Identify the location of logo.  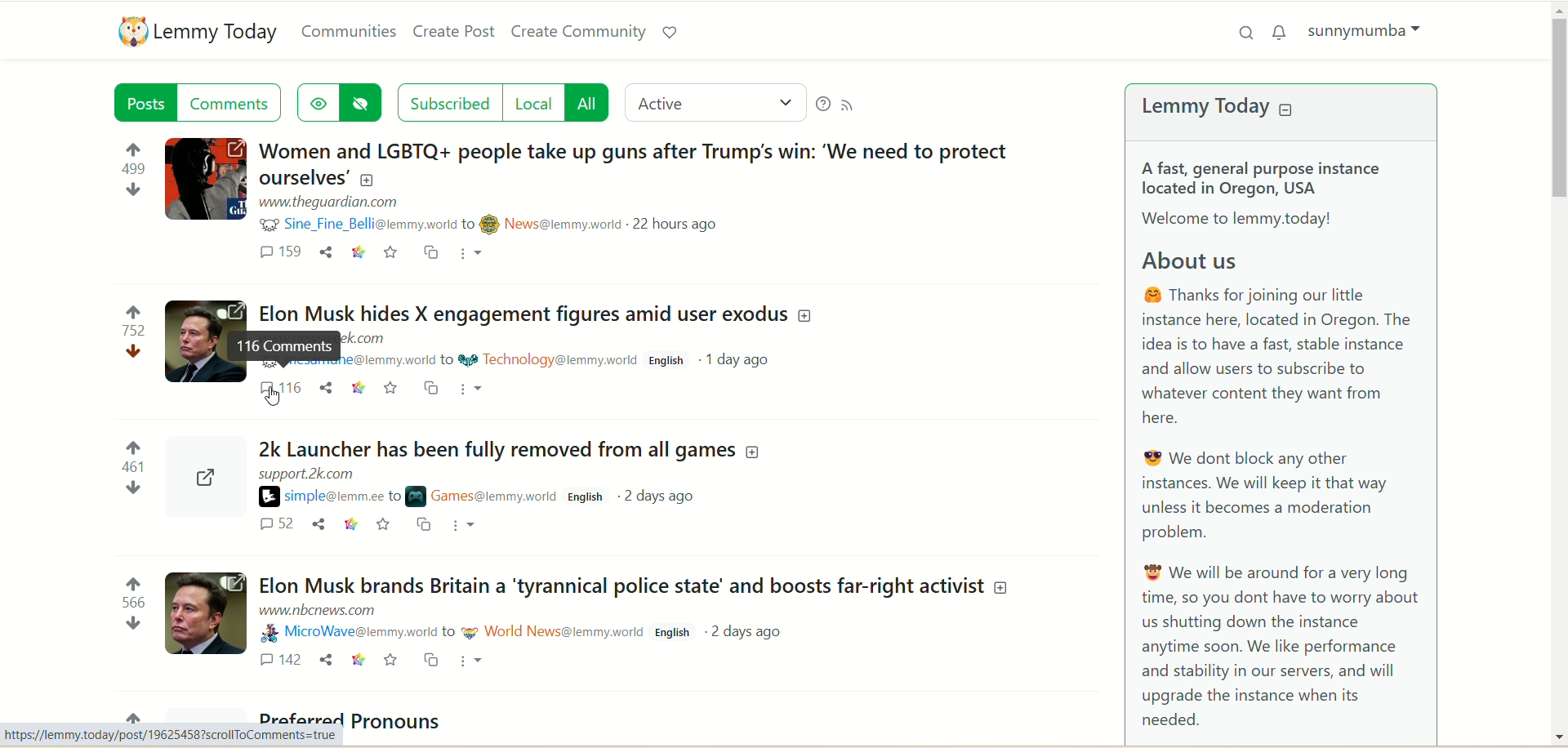
(131, 30).